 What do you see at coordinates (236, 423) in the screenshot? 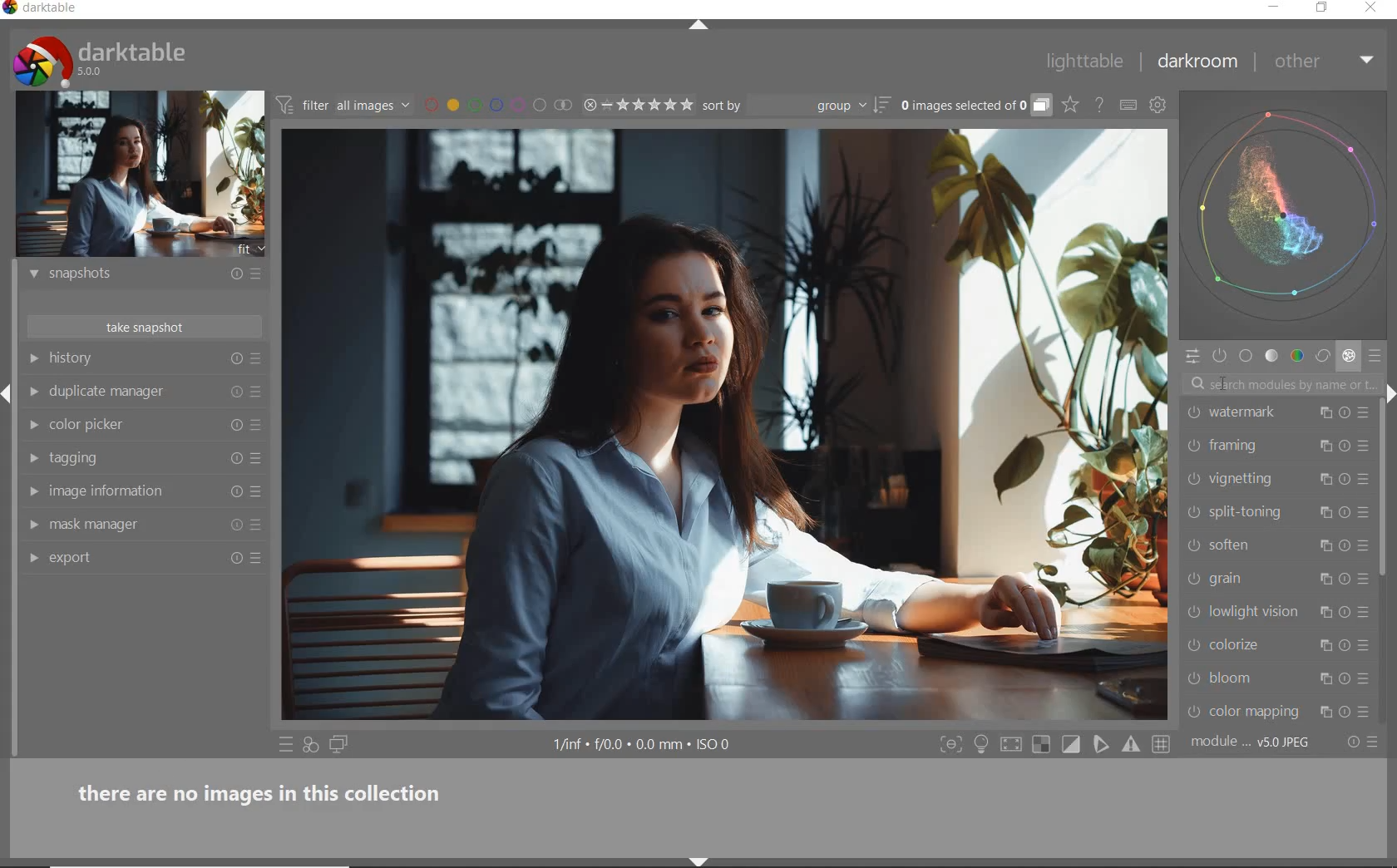
I see `reset` at bounding box center [236, 423].